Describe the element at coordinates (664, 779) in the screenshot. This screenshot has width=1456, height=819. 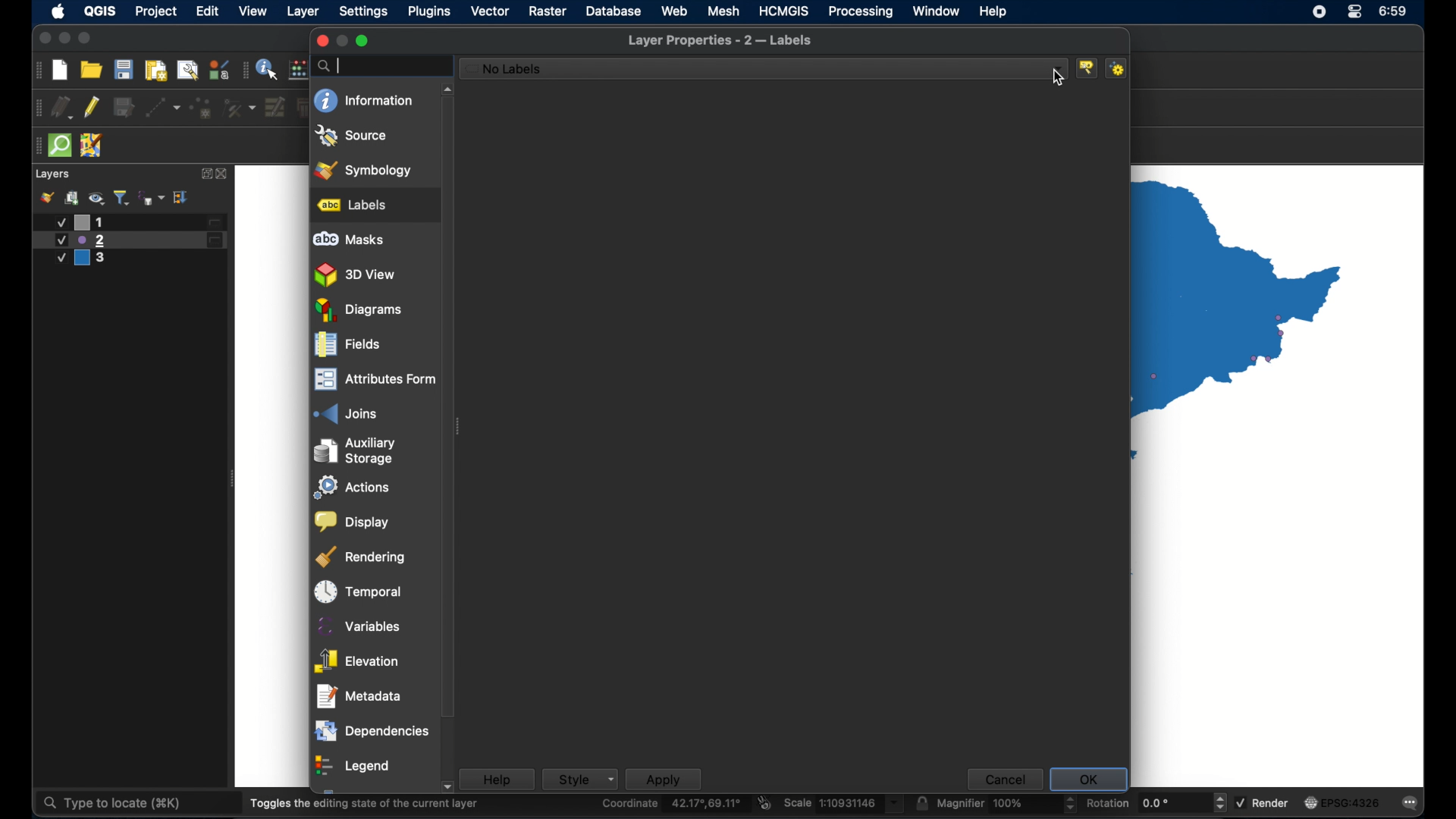
I see `apply` at that location.